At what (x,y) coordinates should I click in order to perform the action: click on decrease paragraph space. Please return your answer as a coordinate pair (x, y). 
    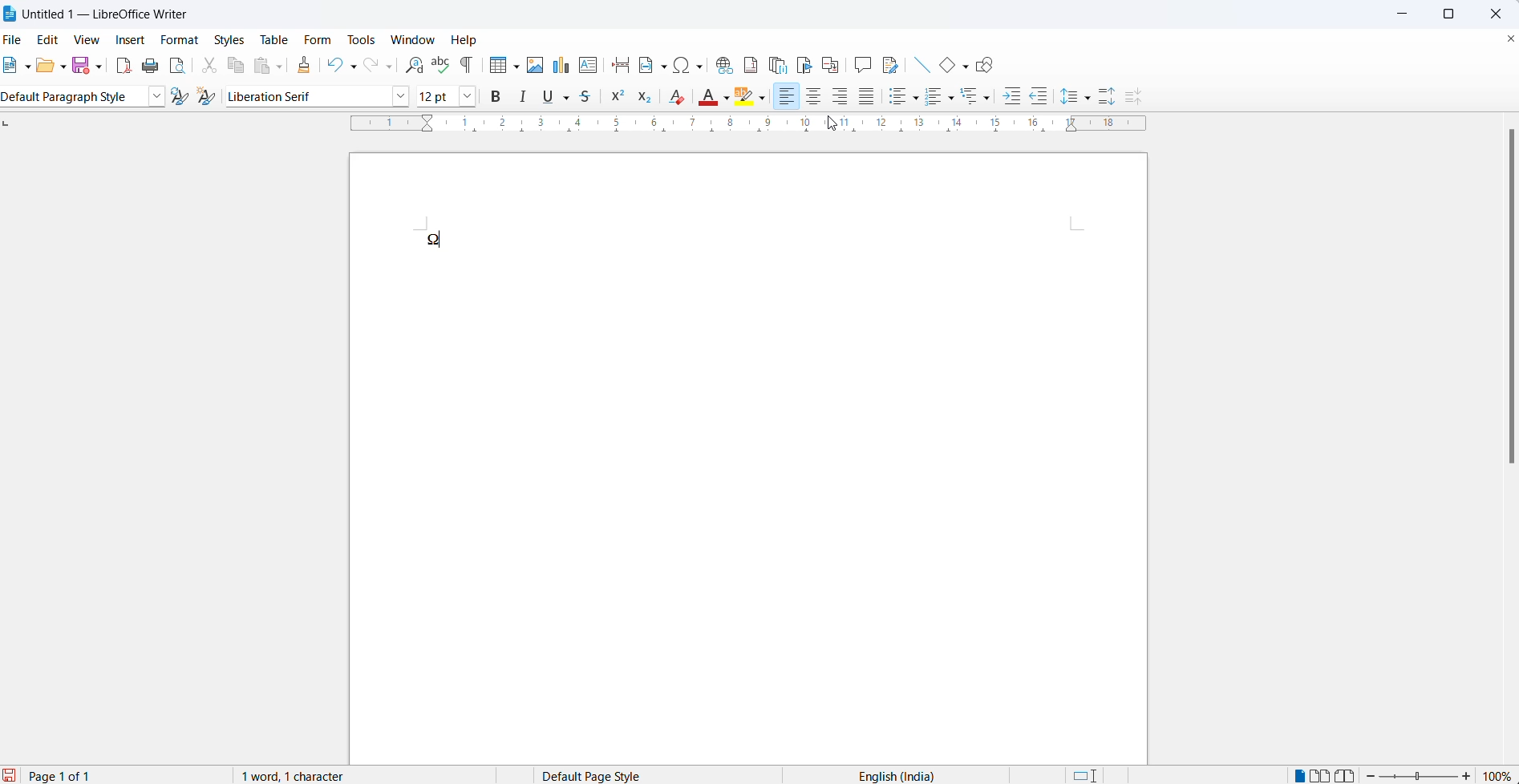
    Looking at the image, I should click on (1142, 98).